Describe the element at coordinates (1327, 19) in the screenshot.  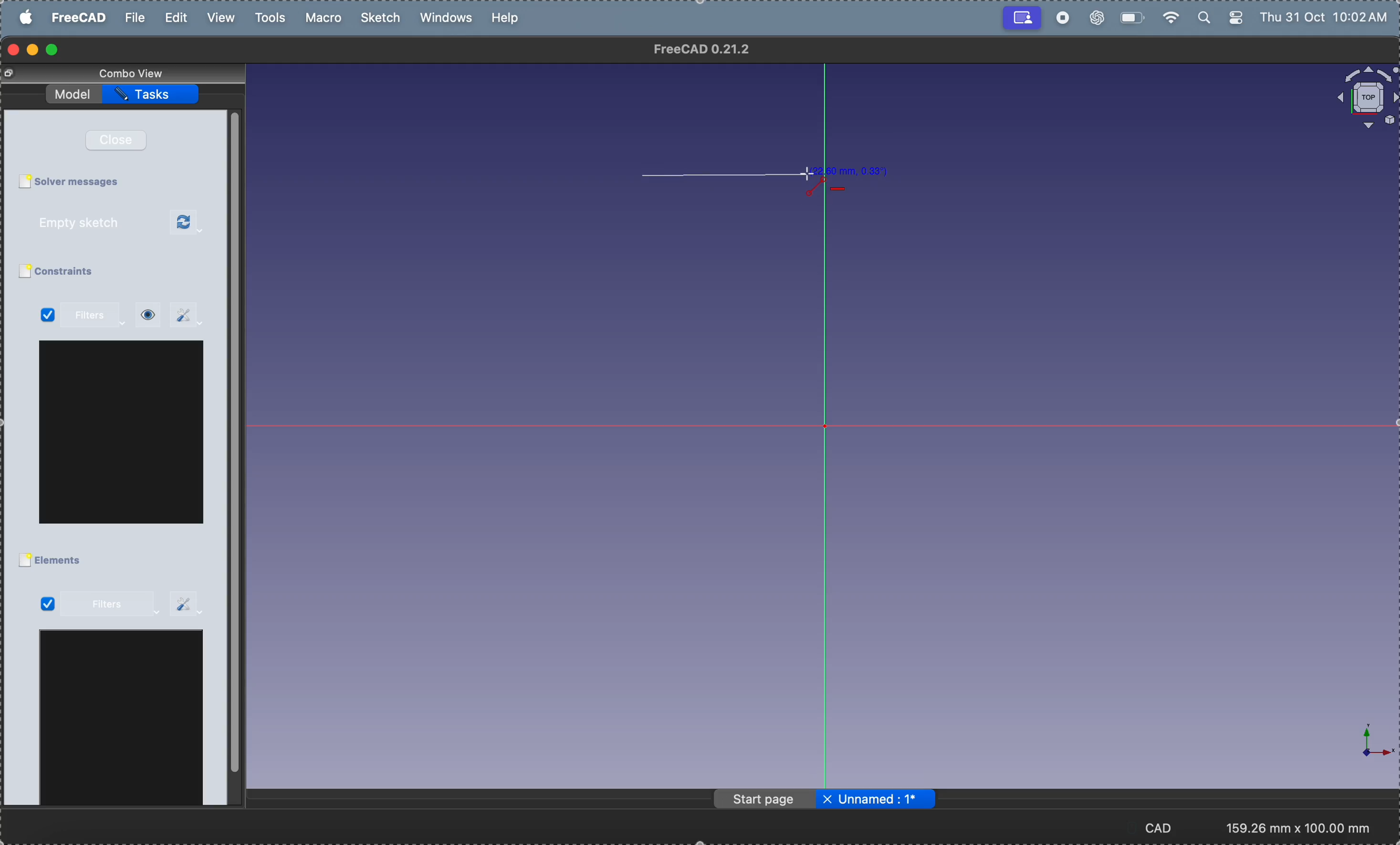
I see `Thu 31 Oct 10:02 AM` at that location.